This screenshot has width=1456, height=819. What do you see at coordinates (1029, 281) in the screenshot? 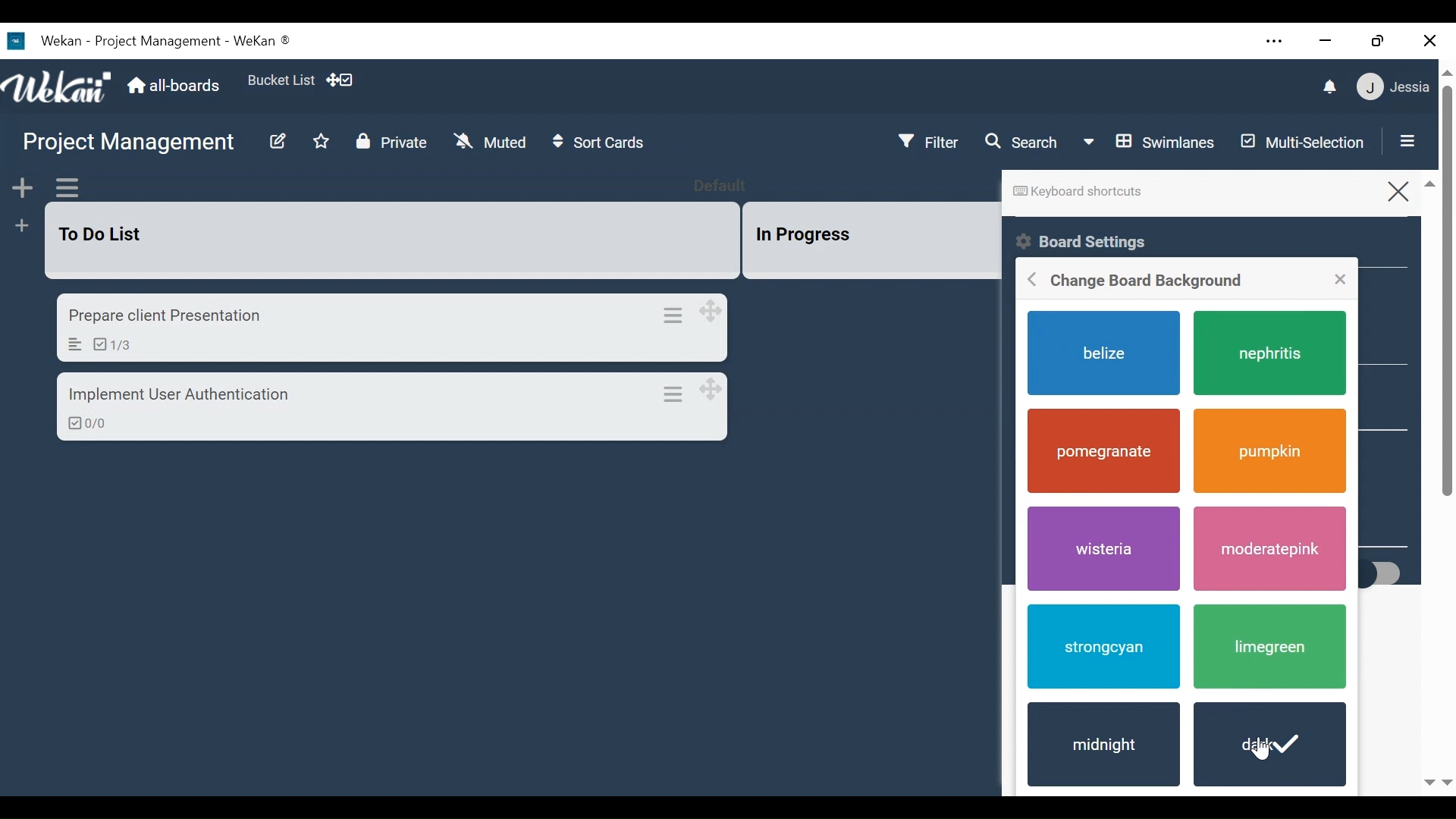
I see `Go back` at bounding box center [1029, 281].